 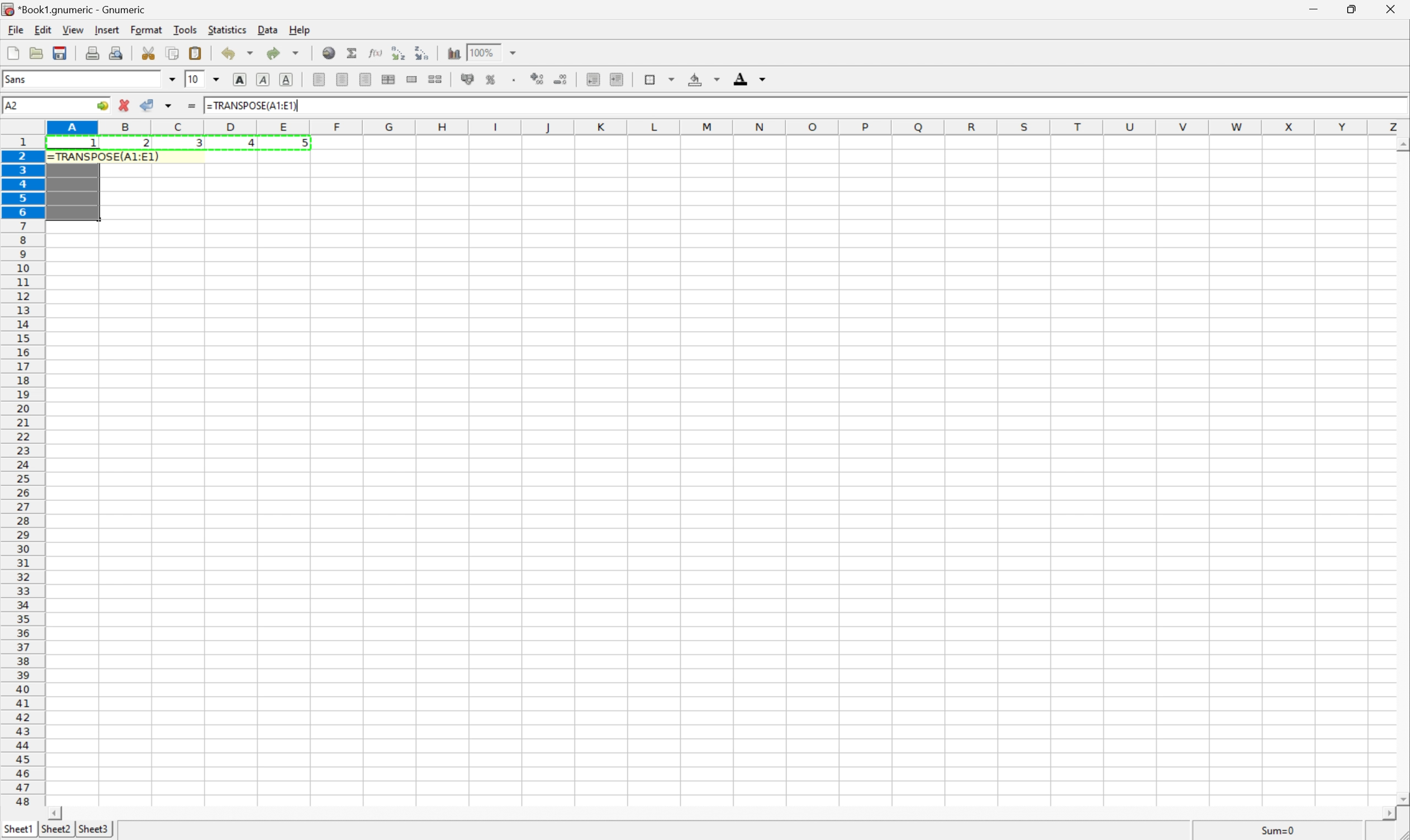 I want to click on 3, so click(x=198, y=145).